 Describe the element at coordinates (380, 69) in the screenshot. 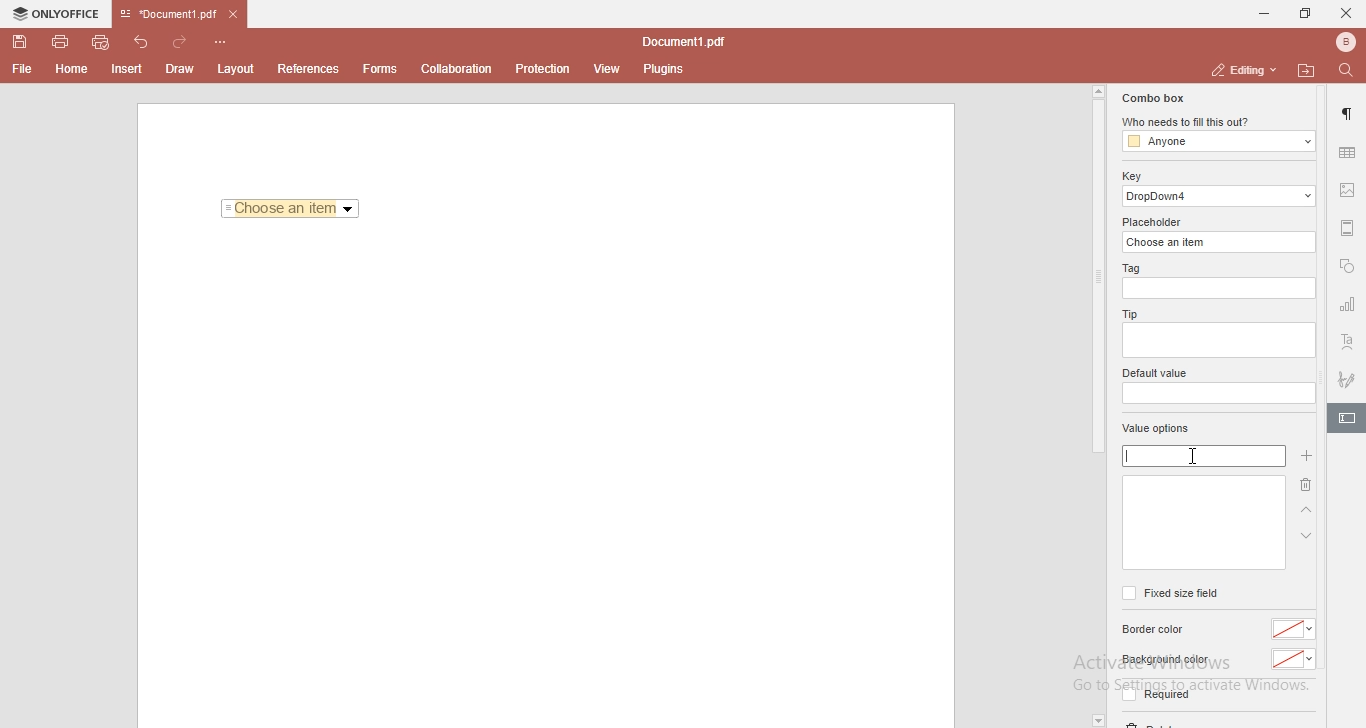

I see `forms` at that location.